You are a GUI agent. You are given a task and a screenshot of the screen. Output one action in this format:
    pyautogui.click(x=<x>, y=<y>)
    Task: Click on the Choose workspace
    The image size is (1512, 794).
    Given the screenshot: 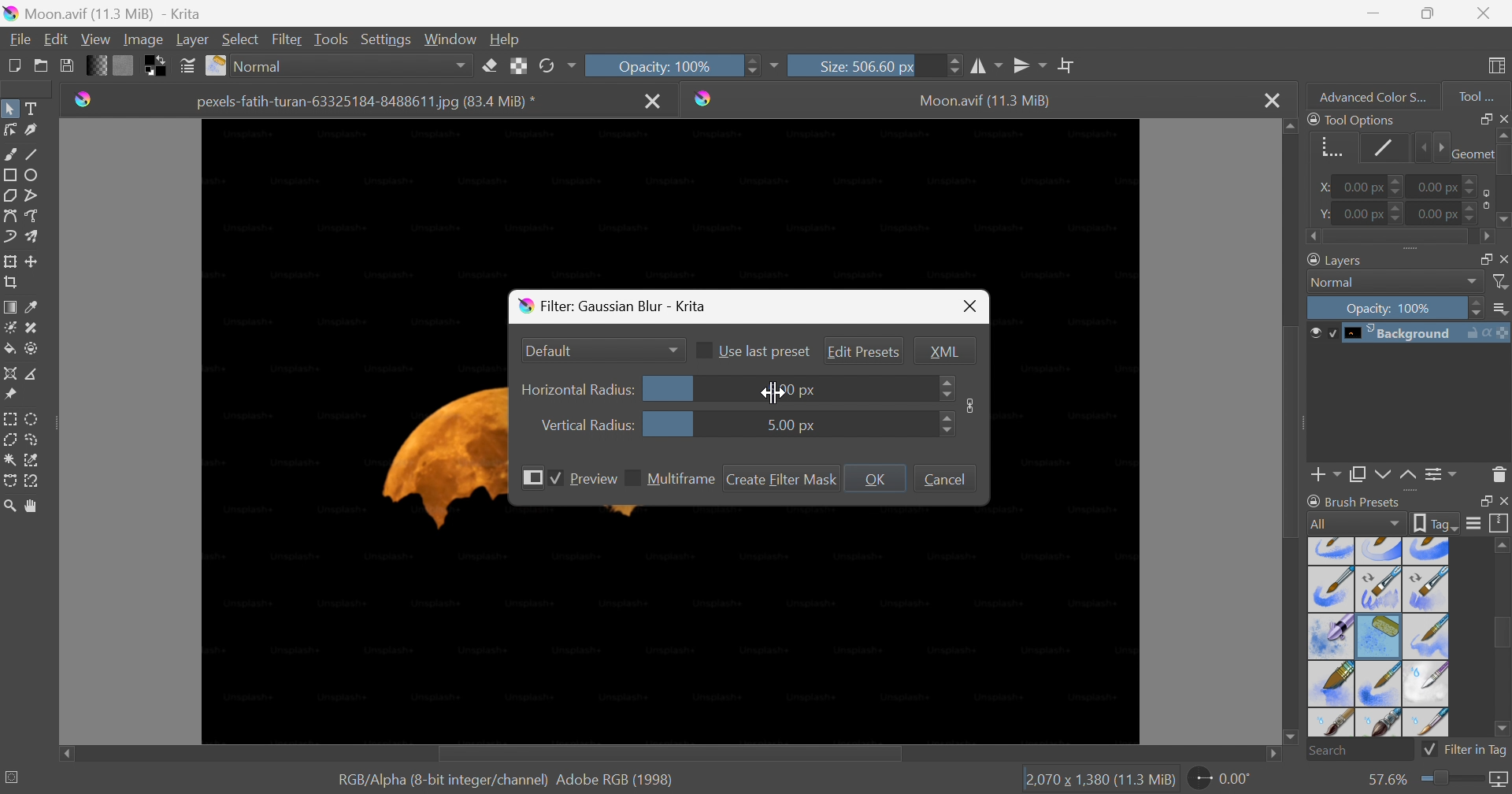 What is the action you would take?
    pyautogui.click(x=1499, y=68)
    